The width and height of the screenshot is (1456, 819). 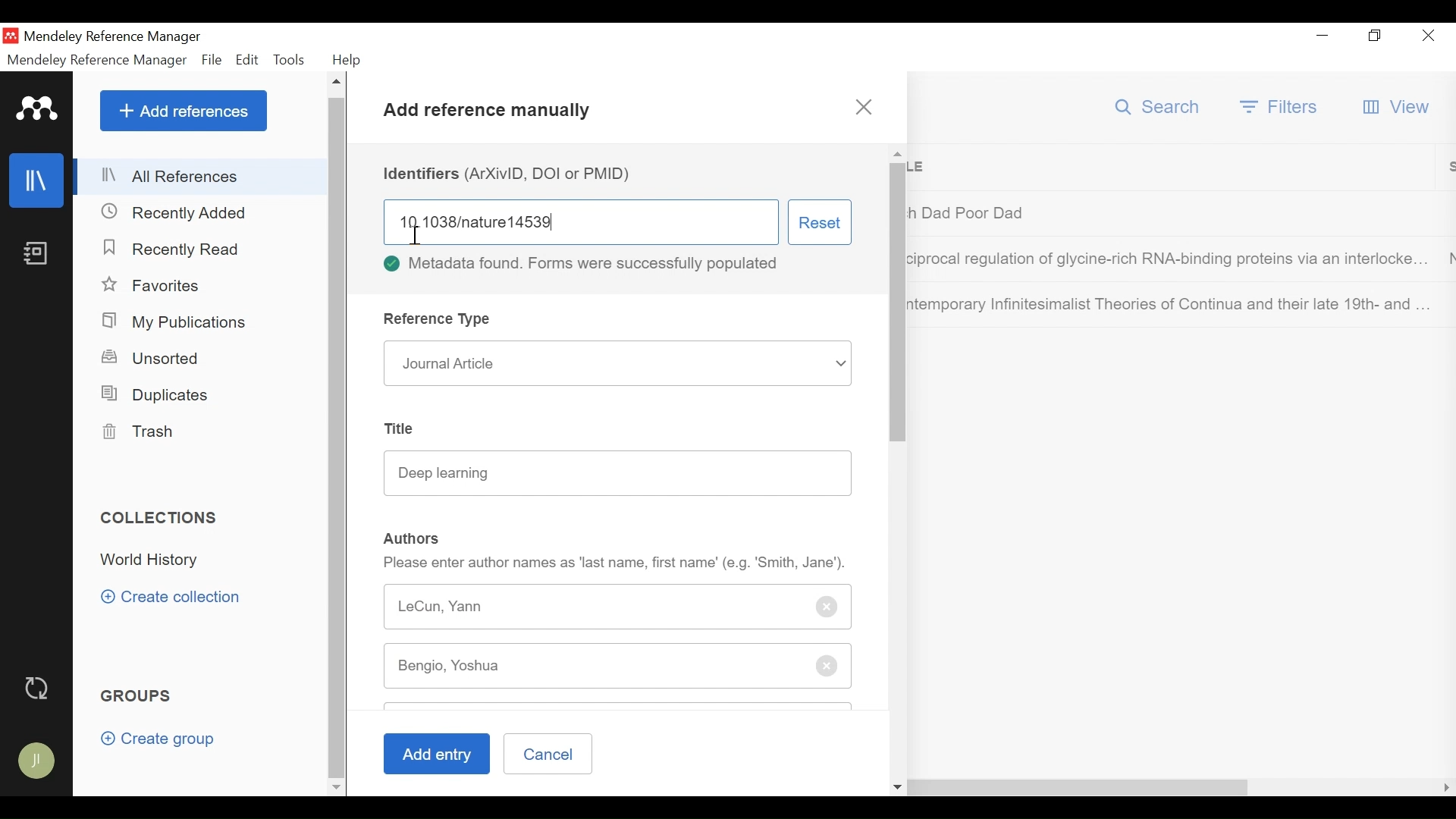 I want to click on Scroll Right, so click(x=1447, y=788).